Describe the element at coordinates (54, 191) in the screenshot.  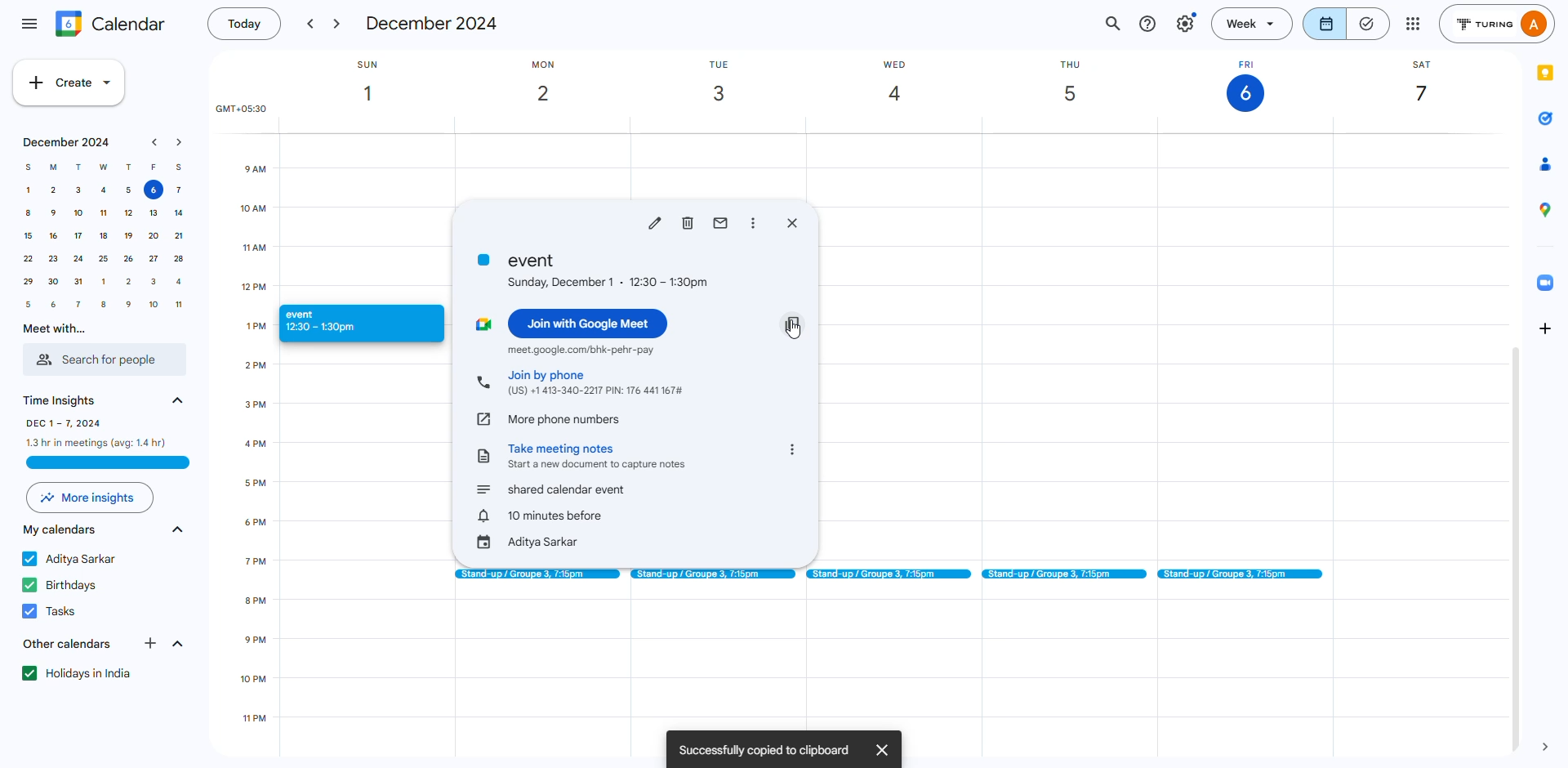
I see `2` at that location.